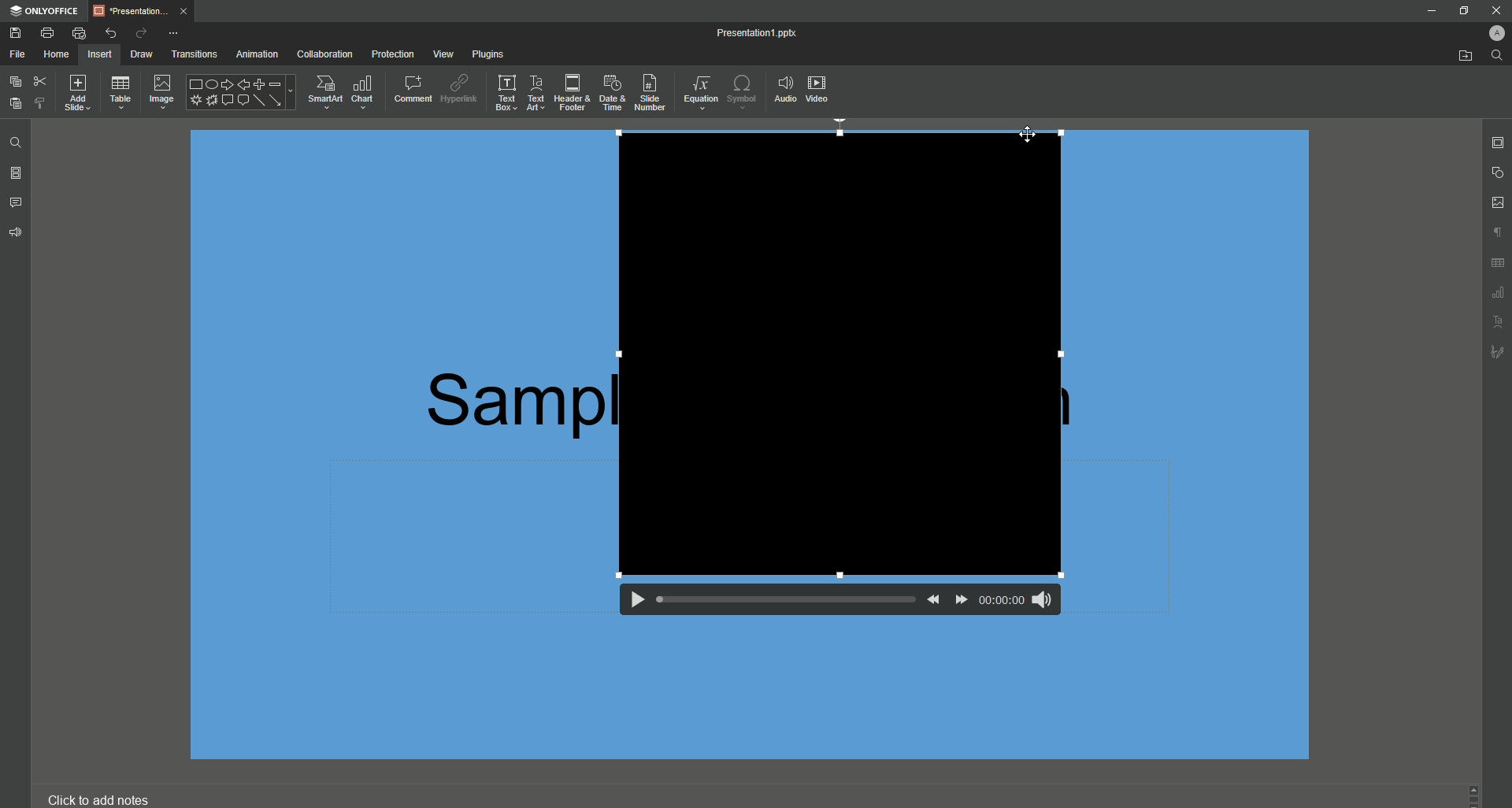  I want to click on Image, so click(160, 93).